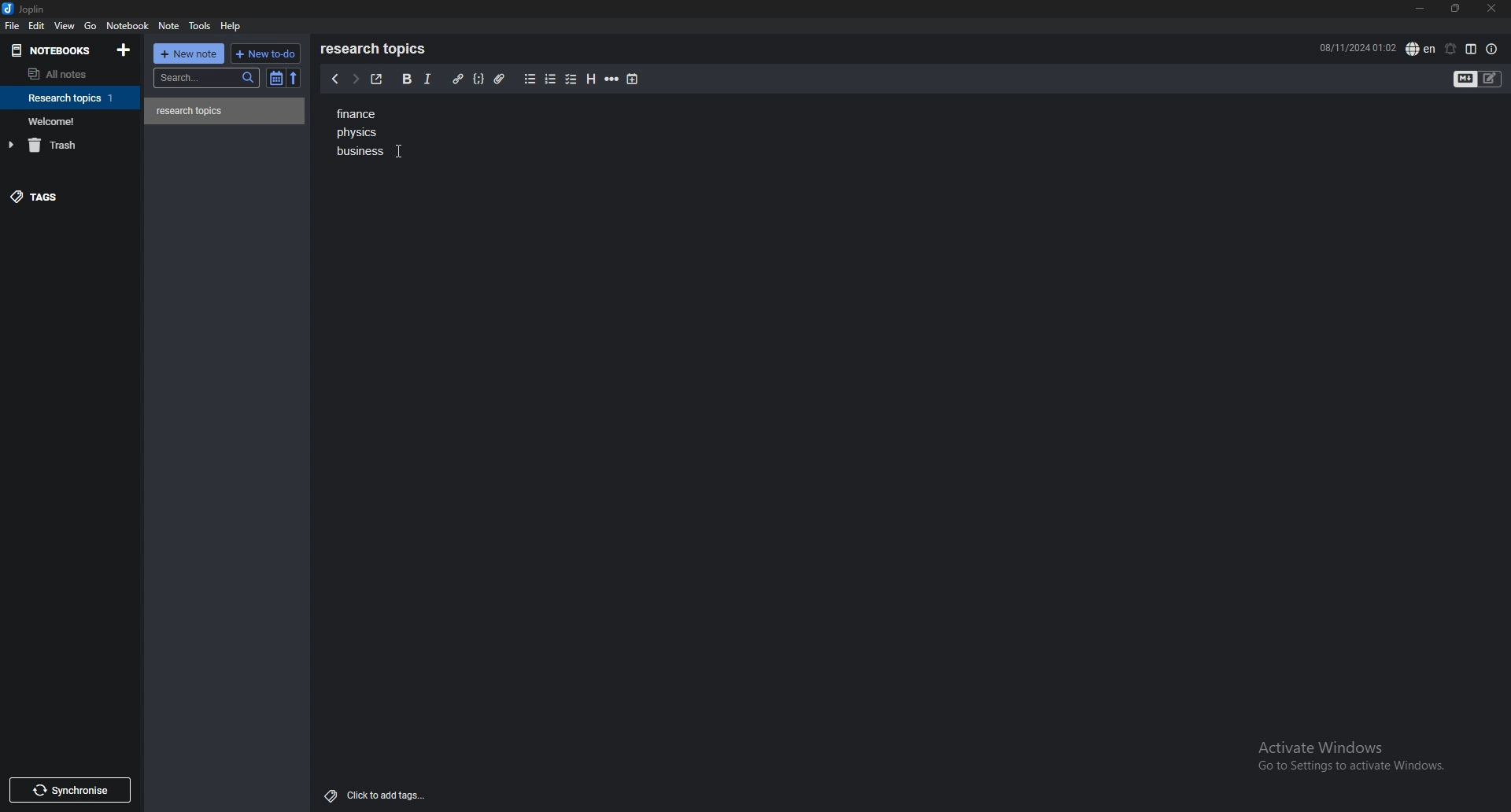 This screenshot has height=812, width=1511. Describe the element at coordinates (72, 98) in the screenshot. I see `notebook` at that location.